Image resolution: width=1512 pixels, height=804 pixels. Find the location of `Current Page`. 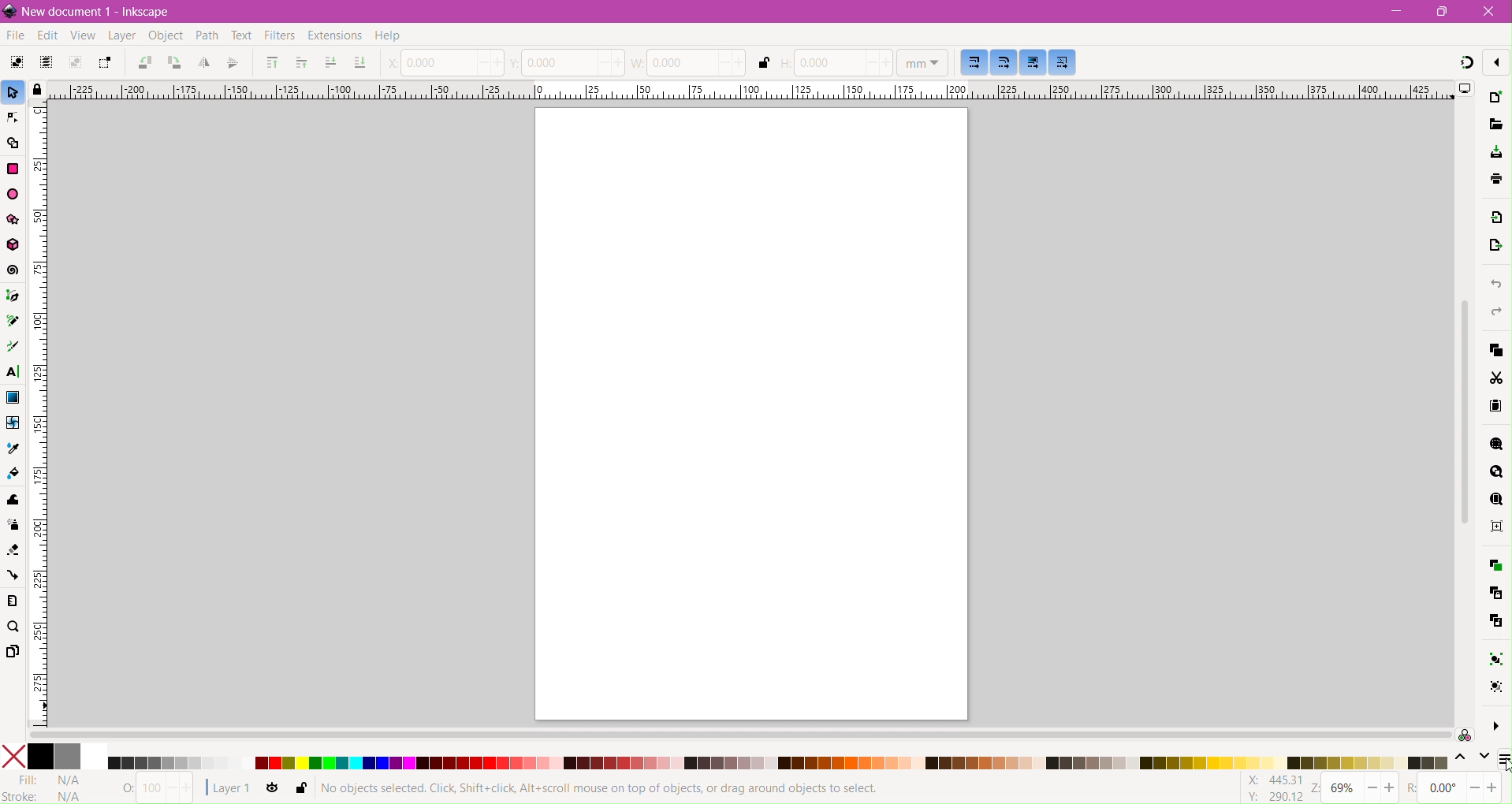

Current Page is located at coordinates (748, 415).